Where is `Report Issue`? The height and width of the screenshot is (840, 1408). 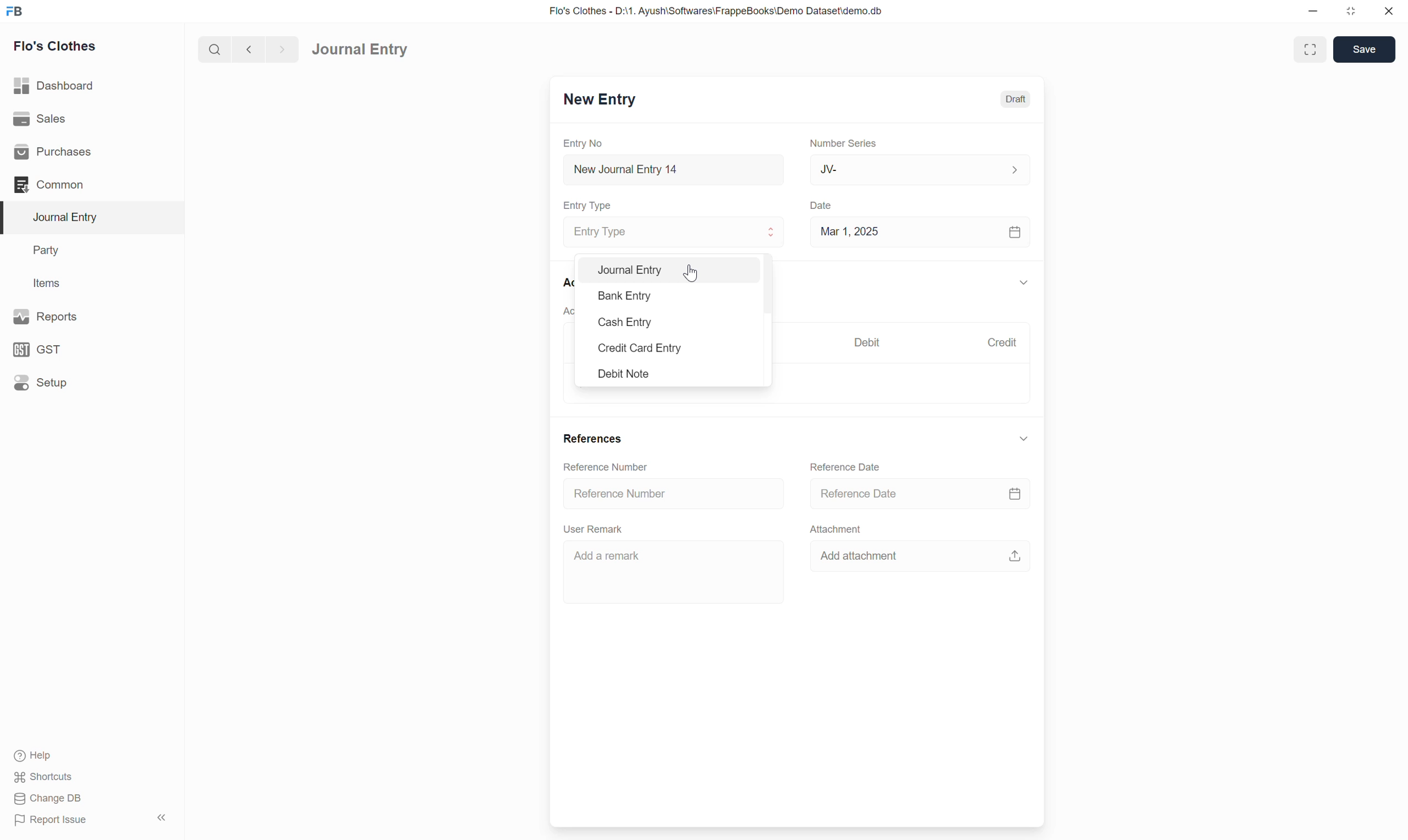 Report Issue is located at coordinates (55, 821).